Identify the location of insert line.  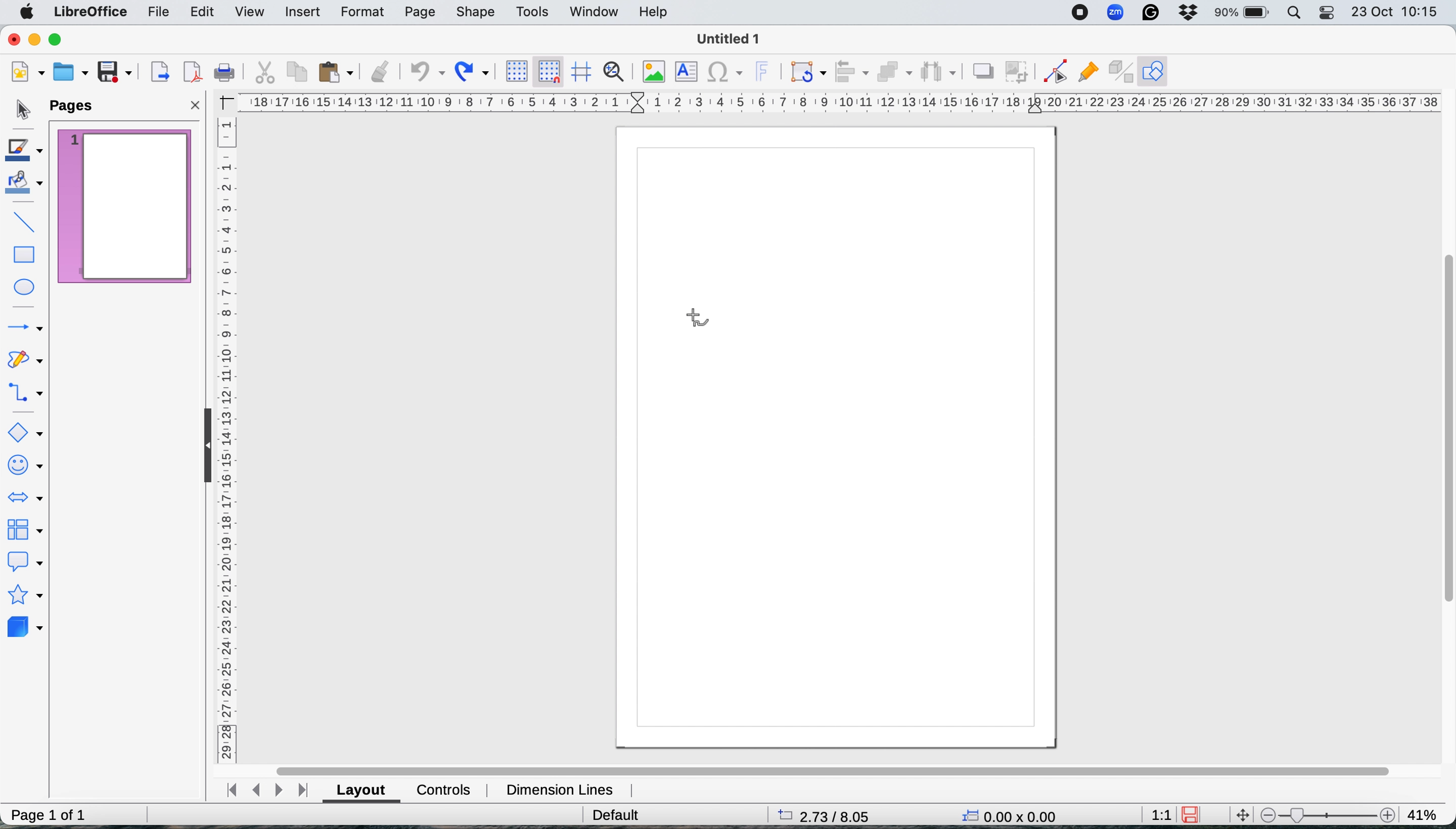
(25, 221).